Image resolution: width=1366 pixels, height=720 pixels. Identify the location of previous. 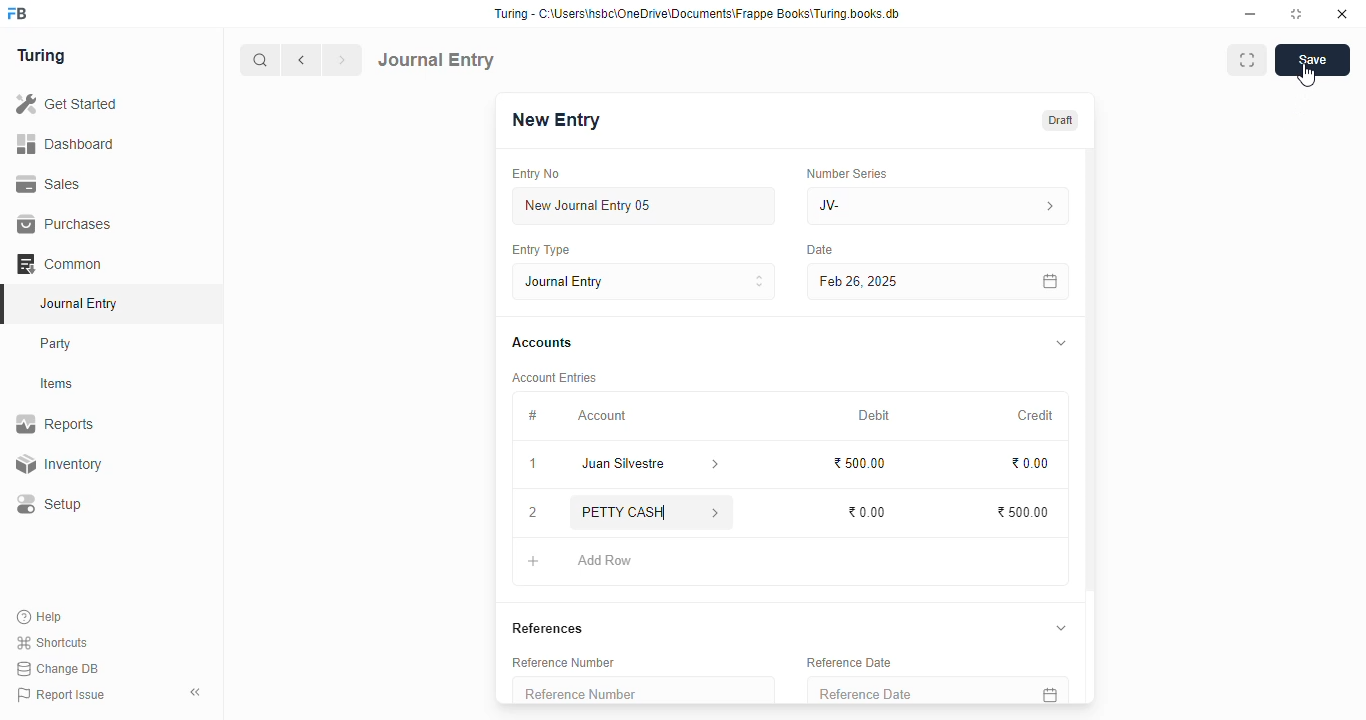
(303, 60).